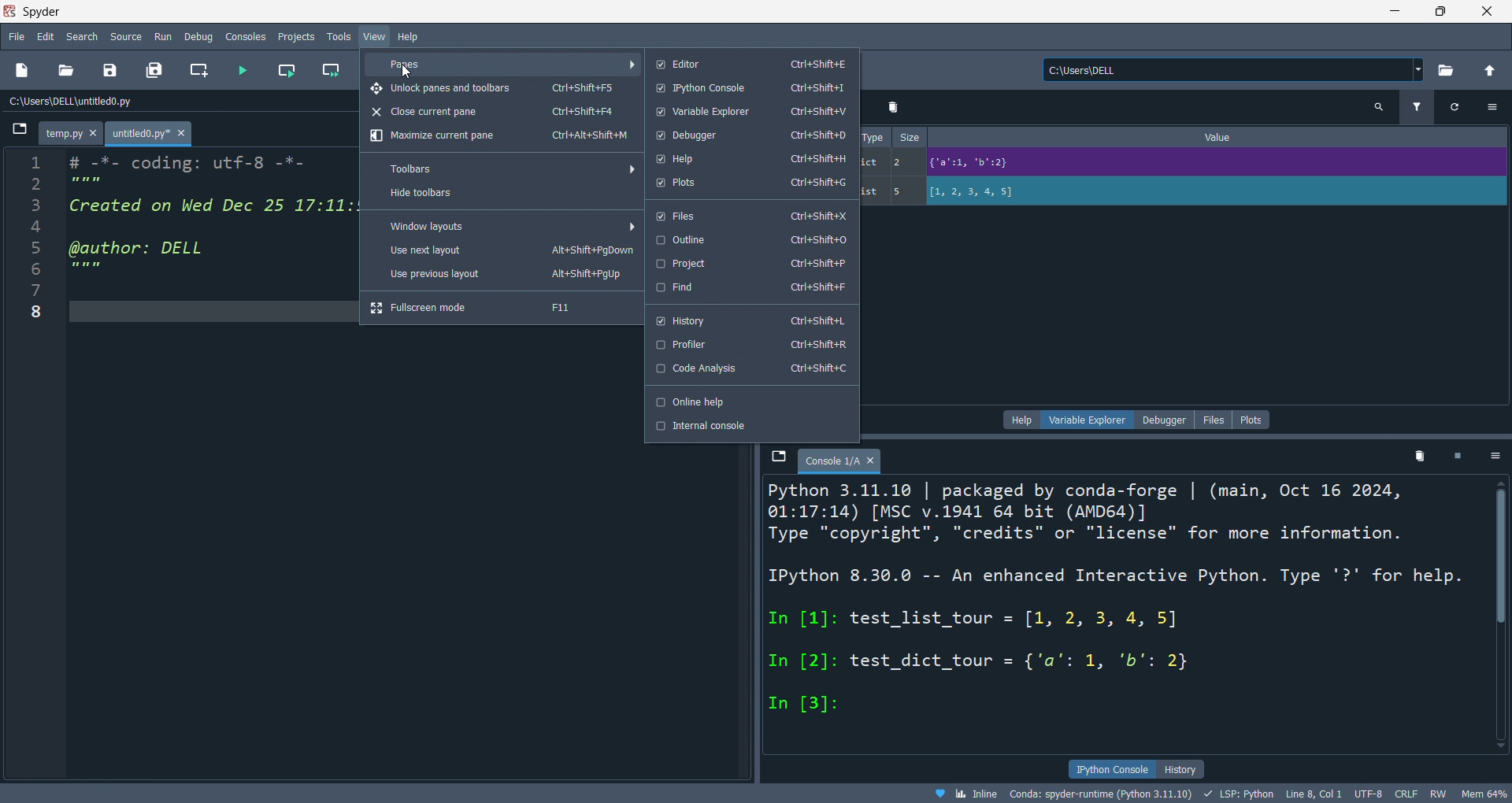 The height and width of the screenshot is (803, 1512). What do you see at coordinates (749, 135) in the screenshot?
I see `debugger` at bounding box center [749, 135].